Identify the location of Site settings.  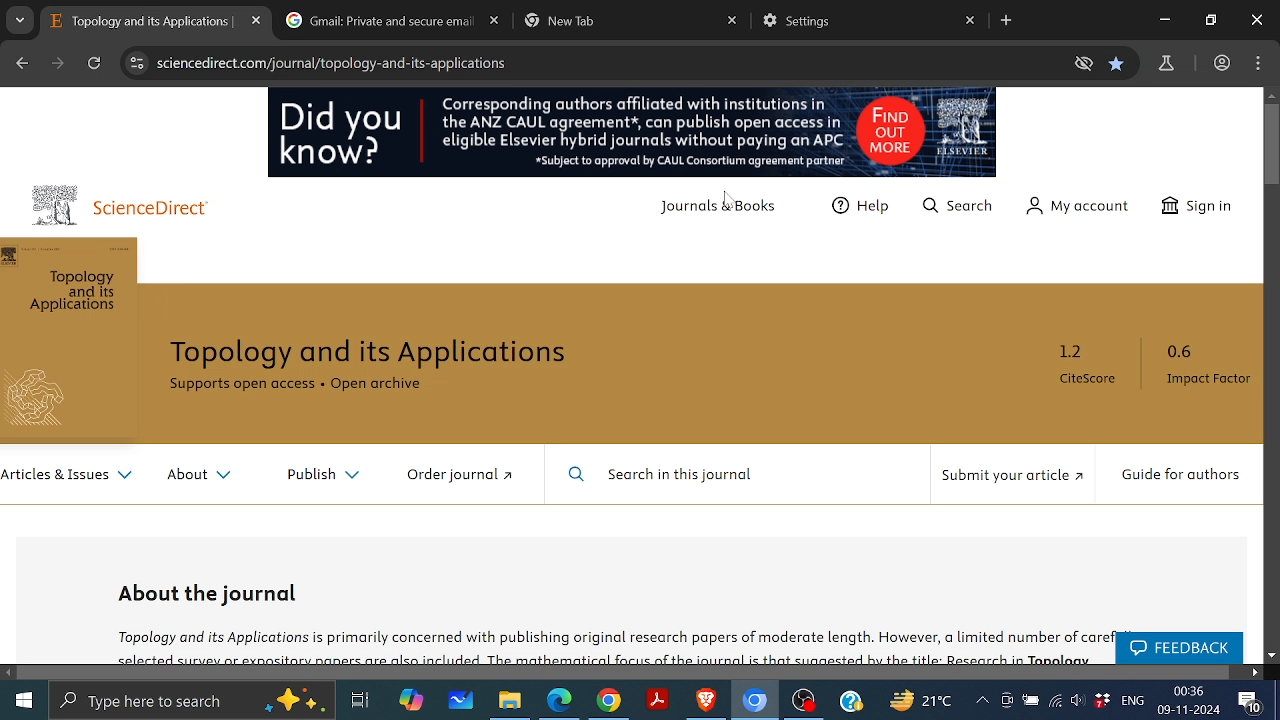
(135, 65).